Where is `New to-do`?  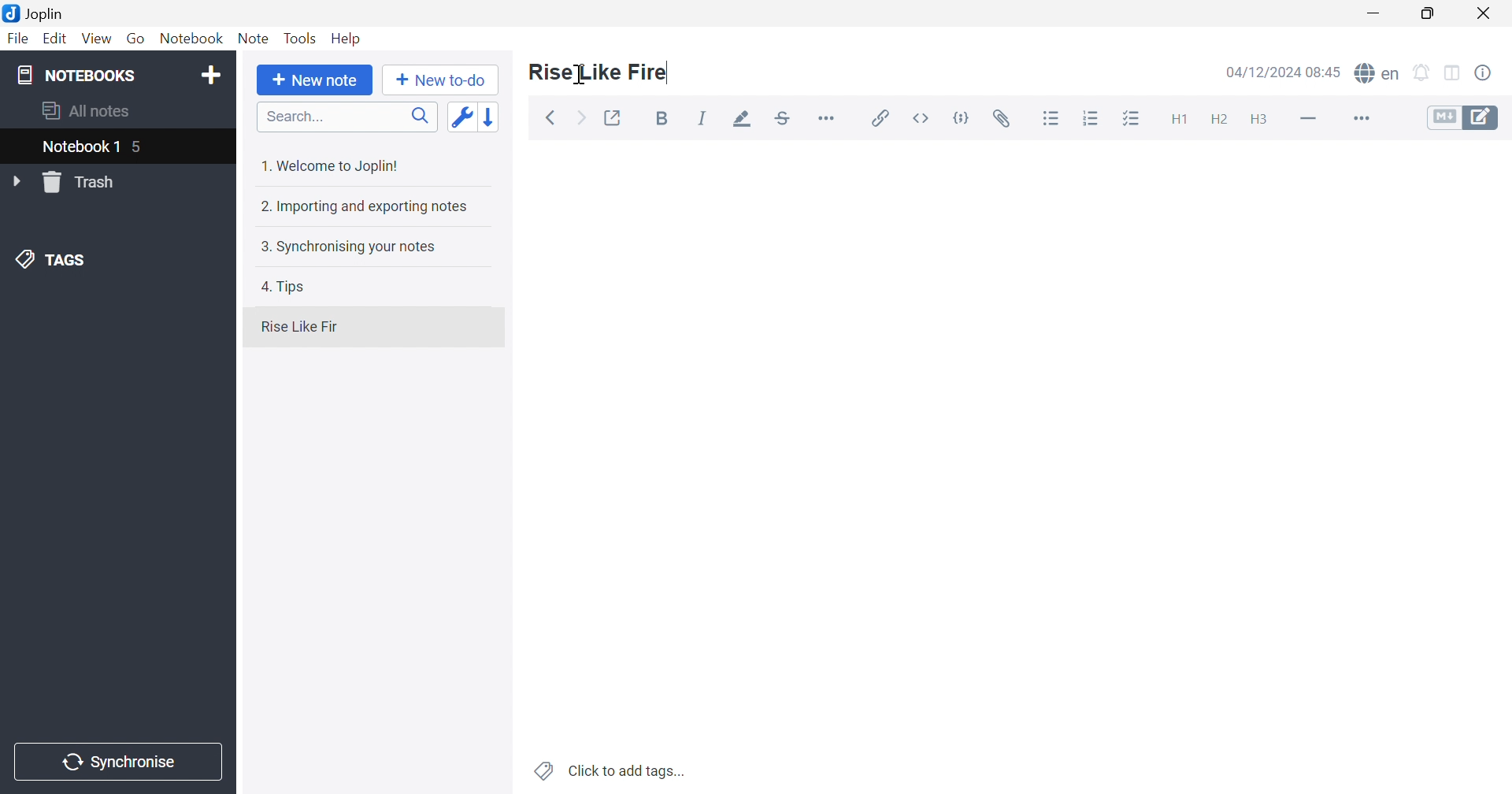 New to-do is located at coordinates (441, 80).